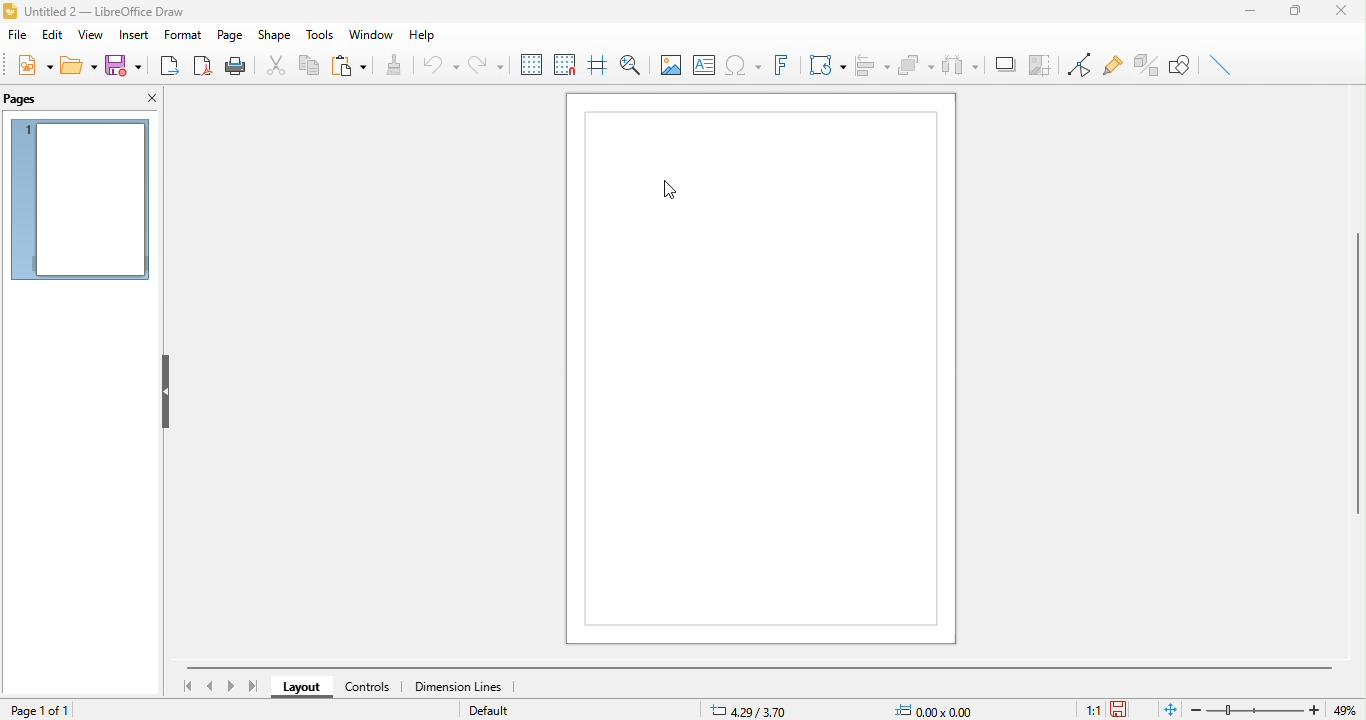 The height and width of the screenshot is (720, 1366). I want to click on new, so click(31, 68).